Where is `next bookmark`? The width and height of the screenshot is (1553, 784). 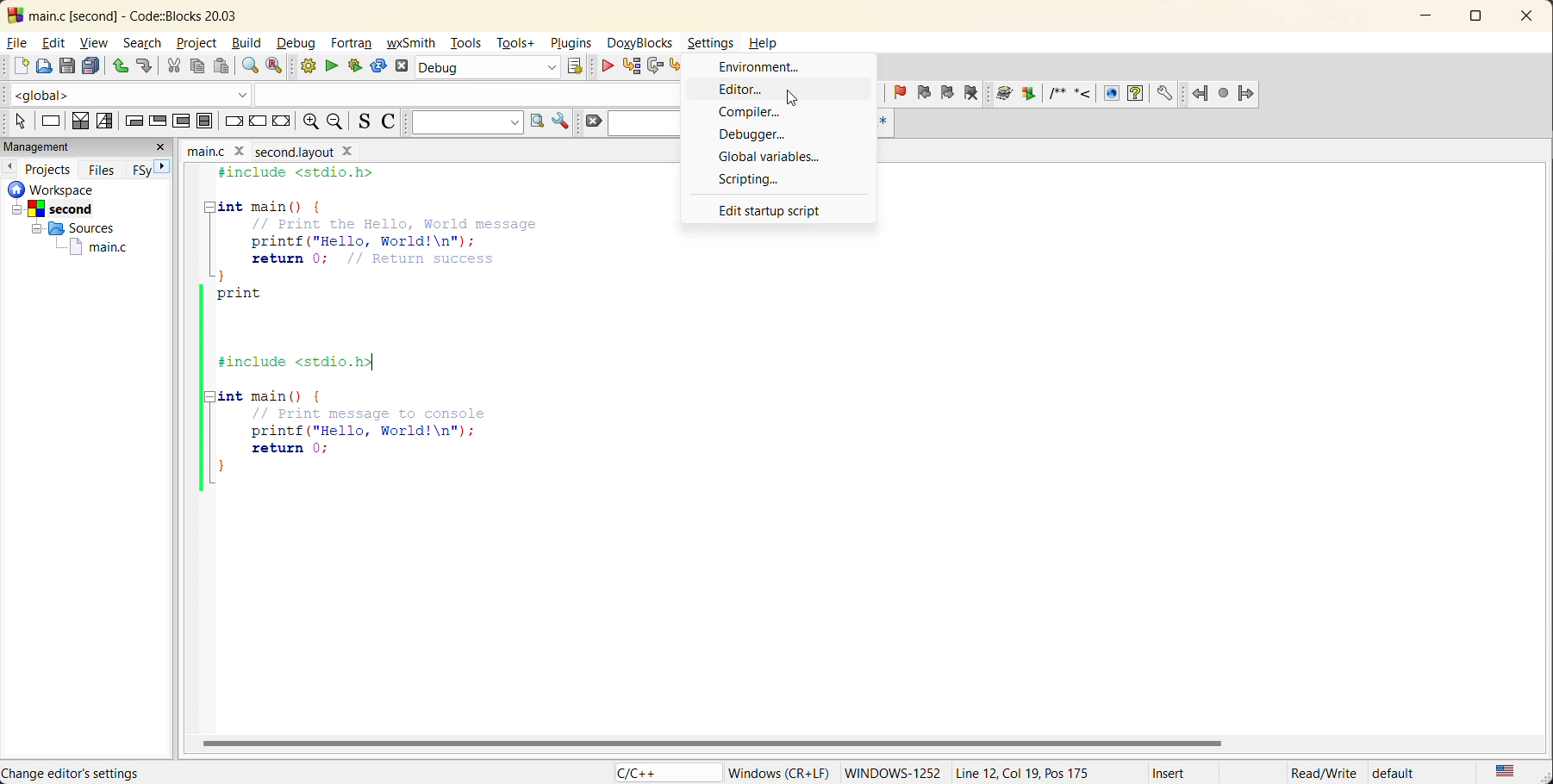
next bookmark is located at coordinates (950, 90).